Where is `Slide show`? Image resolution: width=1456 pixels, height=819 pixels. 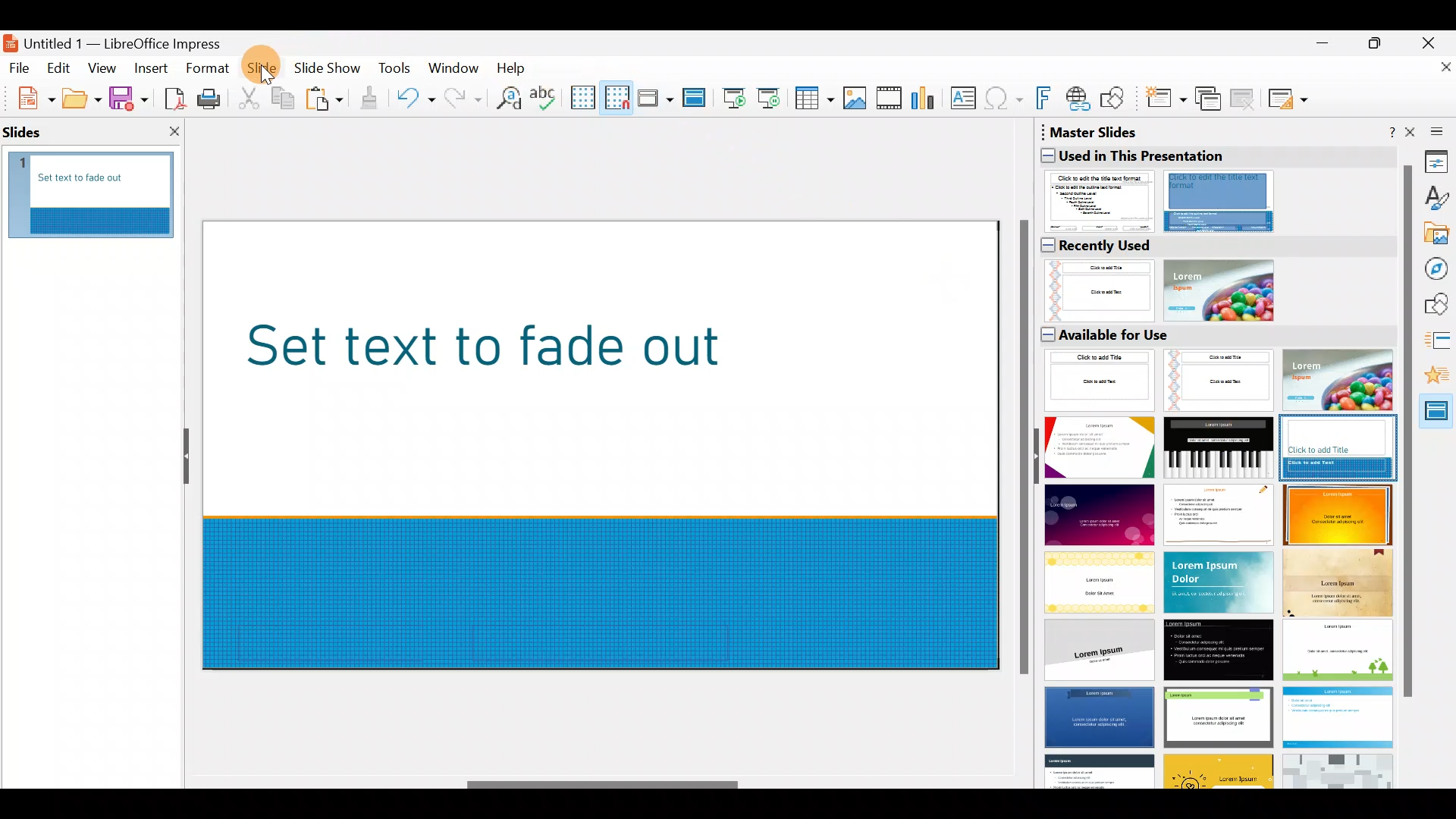
Slide show is located at coordinates (331, 71).